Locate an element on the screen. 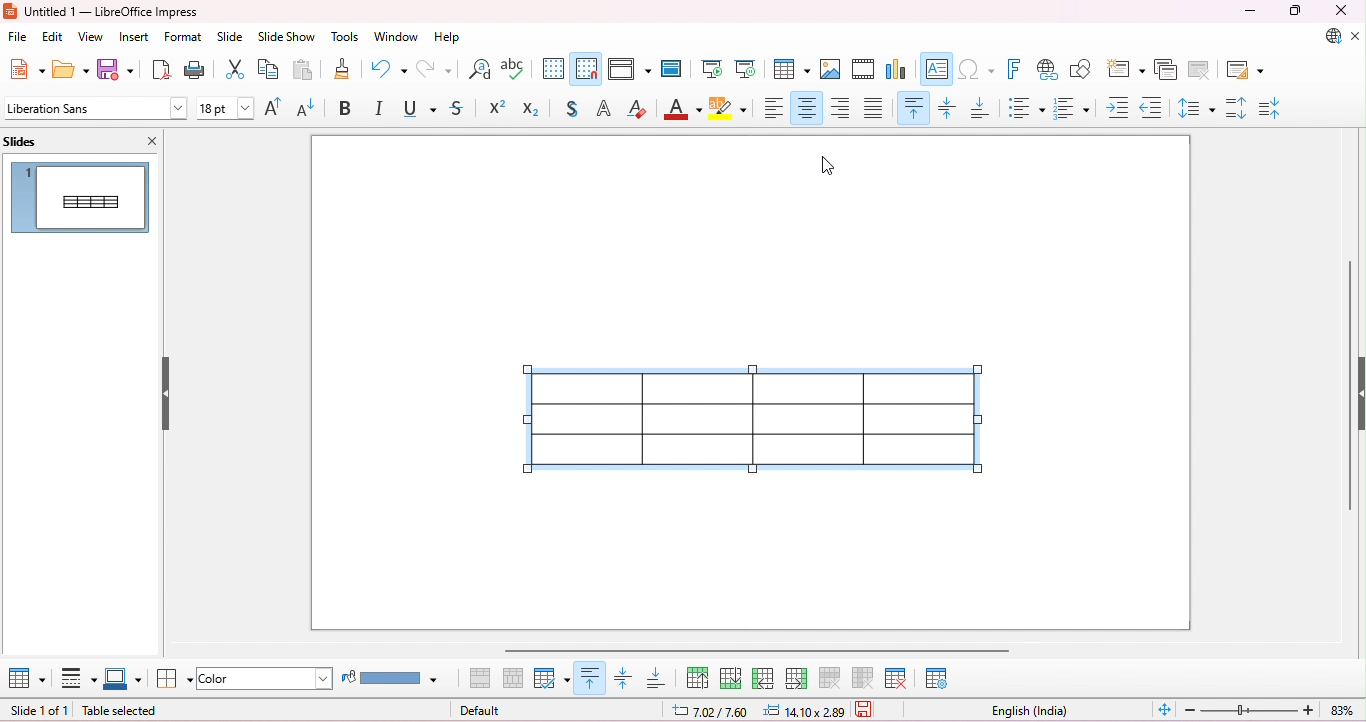 The height and width of the screenshot is (722, 1366). highlight is located at coordinates (732, 108).